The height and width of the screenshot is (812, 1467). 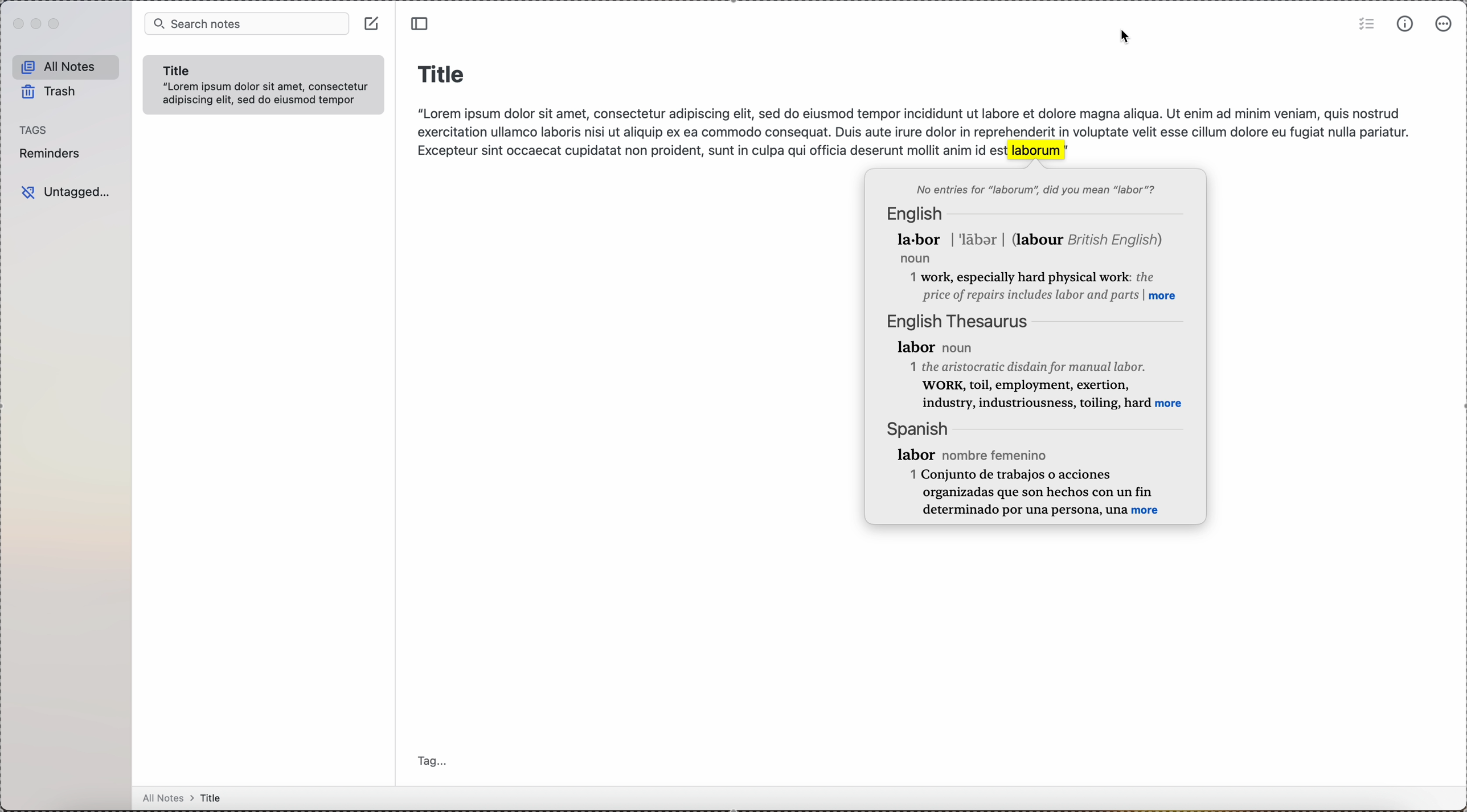 What do you see at coordinates (189, 798) in the screenshot?
I see `all notes` at bounding box center [189, 798].